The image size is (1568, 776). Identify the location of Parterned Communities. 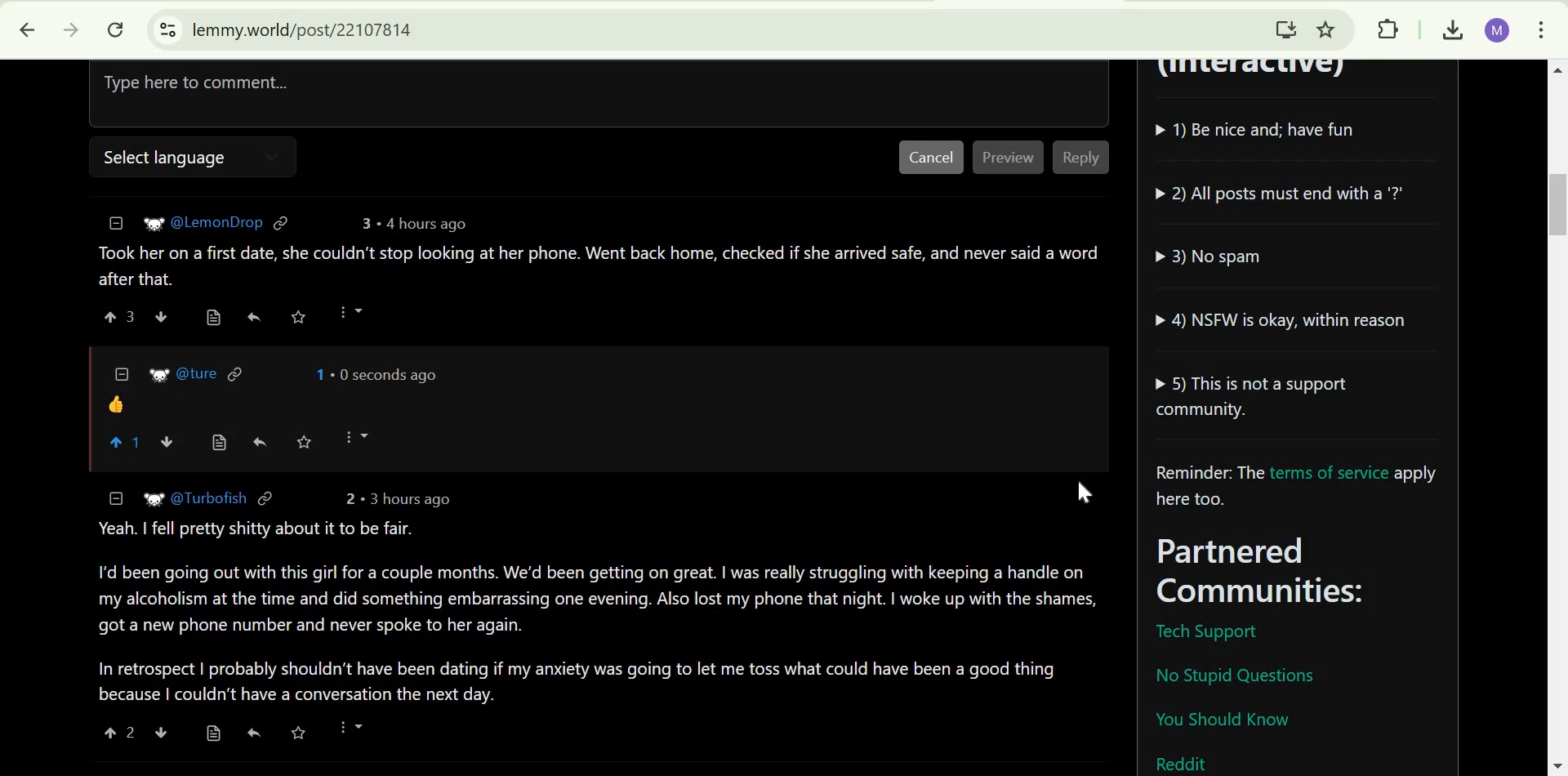
(1304, 572).